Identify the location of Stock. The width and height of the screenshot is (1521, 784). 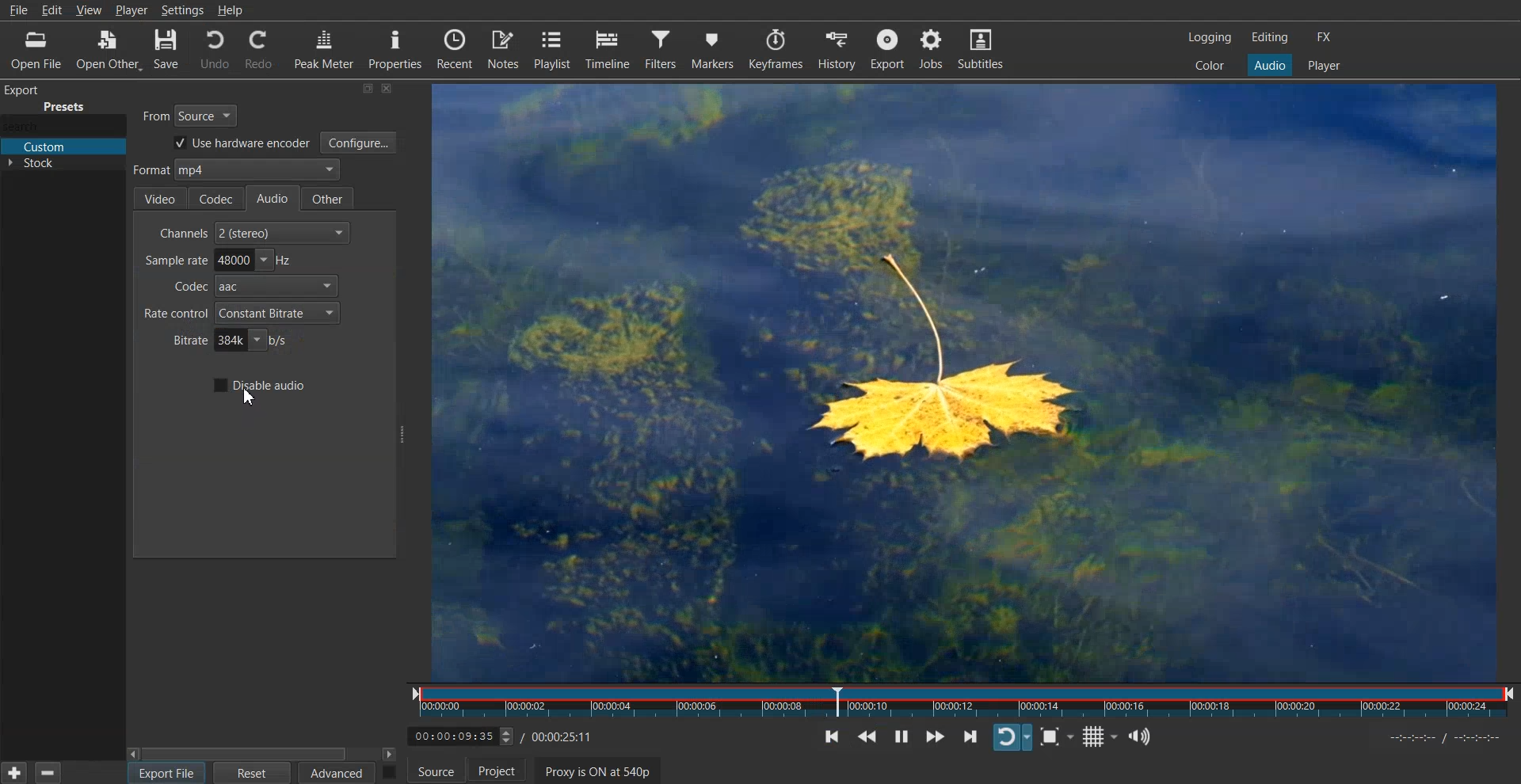
(63, 167).